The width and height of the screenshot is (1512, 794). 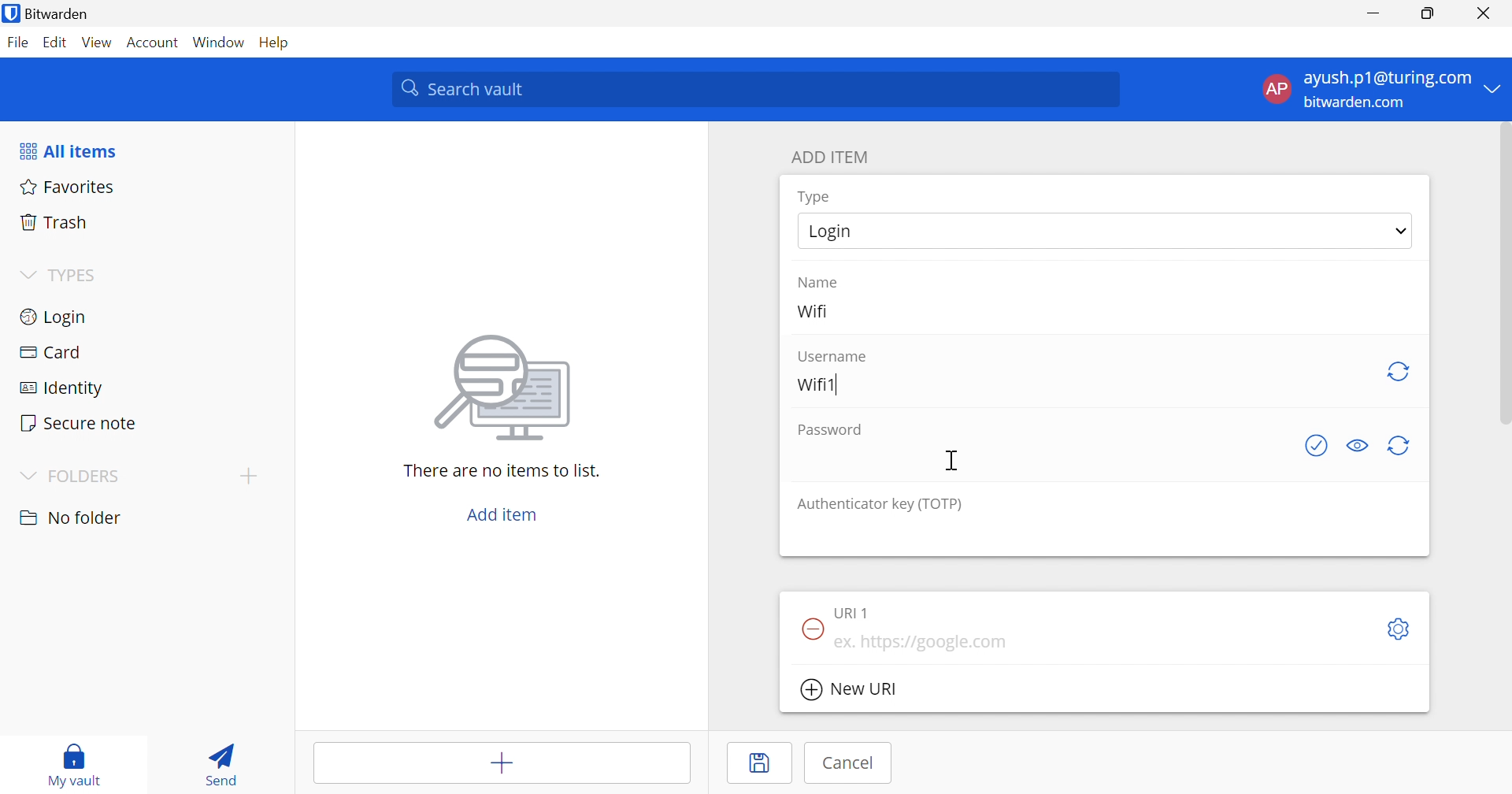 What do you see at coordinates (503, 765) in the screenshot?
I see `Add item` at bounding box center [503, 765].